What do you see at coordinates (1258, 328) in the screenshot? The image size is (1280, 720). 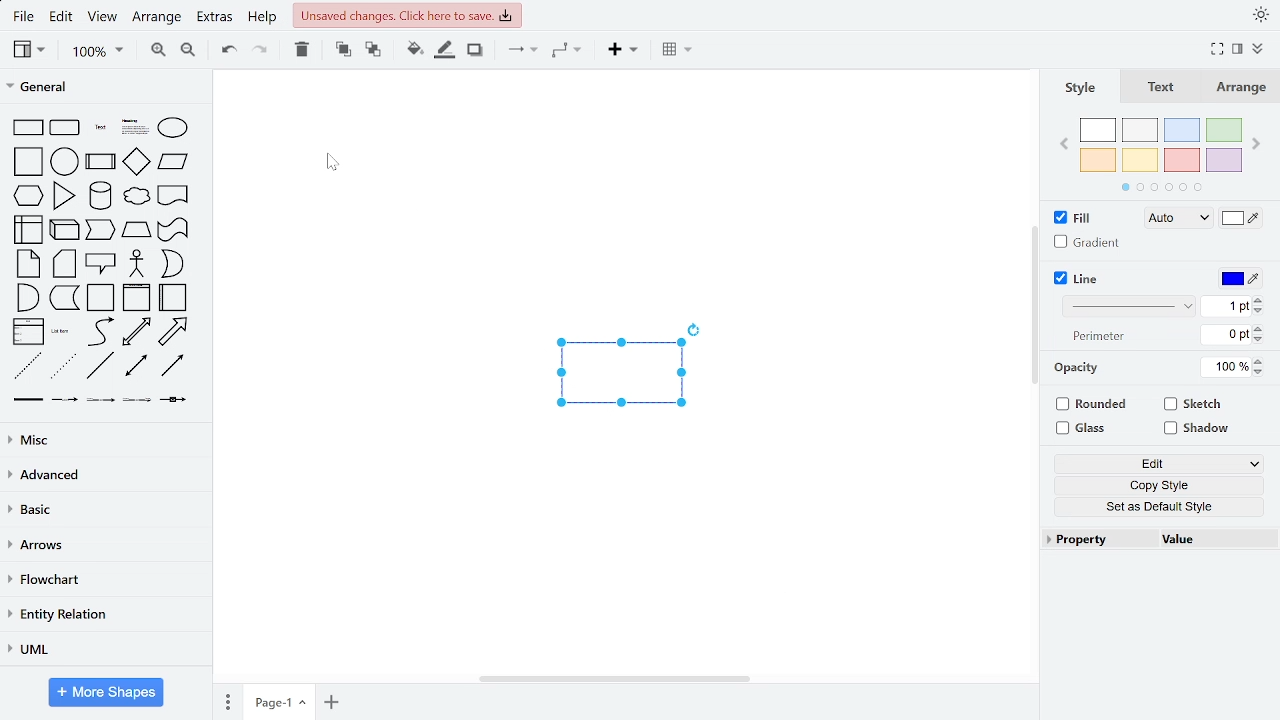 I see `increase perimeter` at bounding box center [1258, 328].